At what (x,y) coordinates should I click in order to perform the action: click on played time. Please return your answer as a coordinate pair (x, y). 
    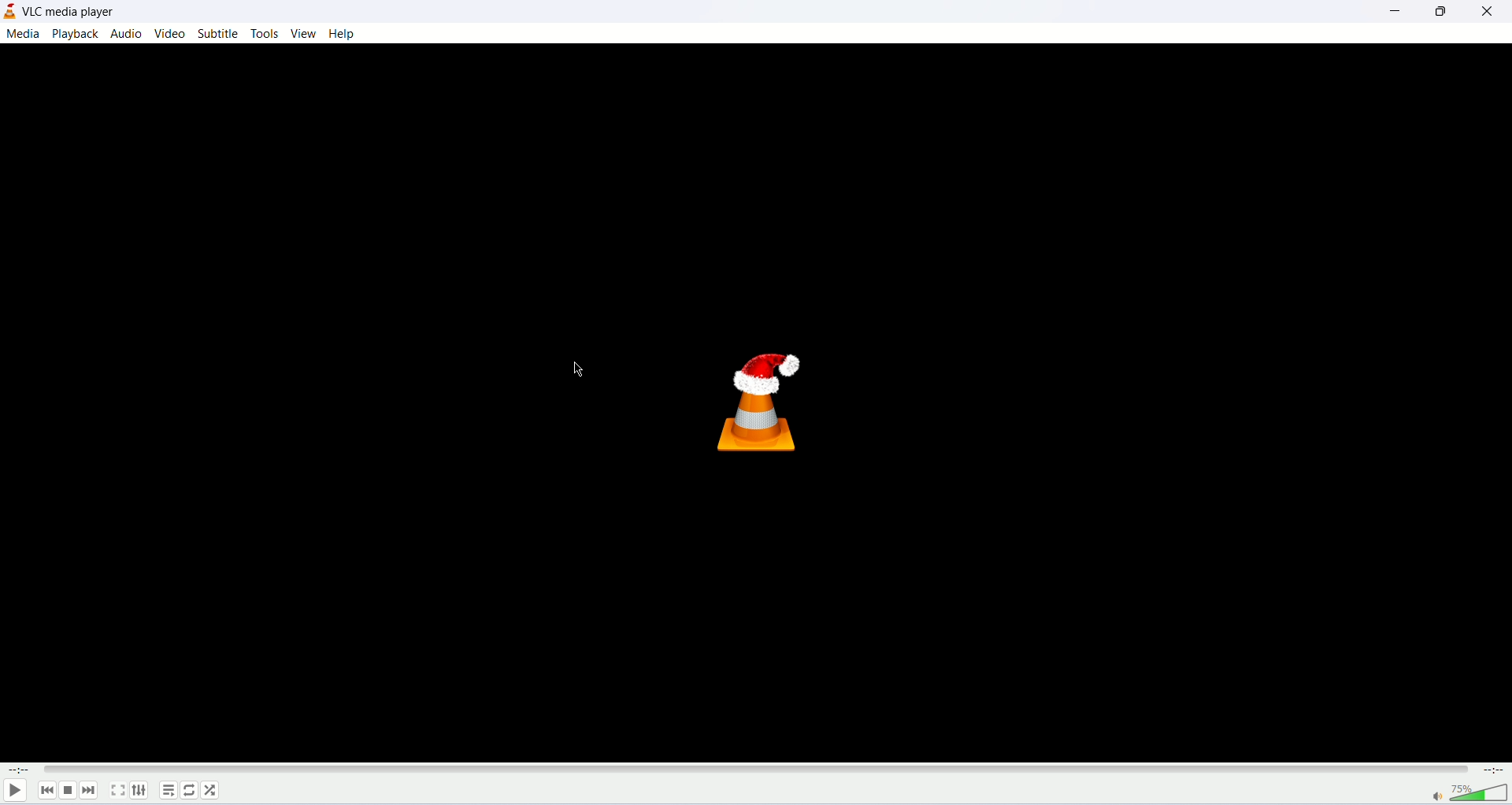
    Looking at the image, I should click on (15, 770).